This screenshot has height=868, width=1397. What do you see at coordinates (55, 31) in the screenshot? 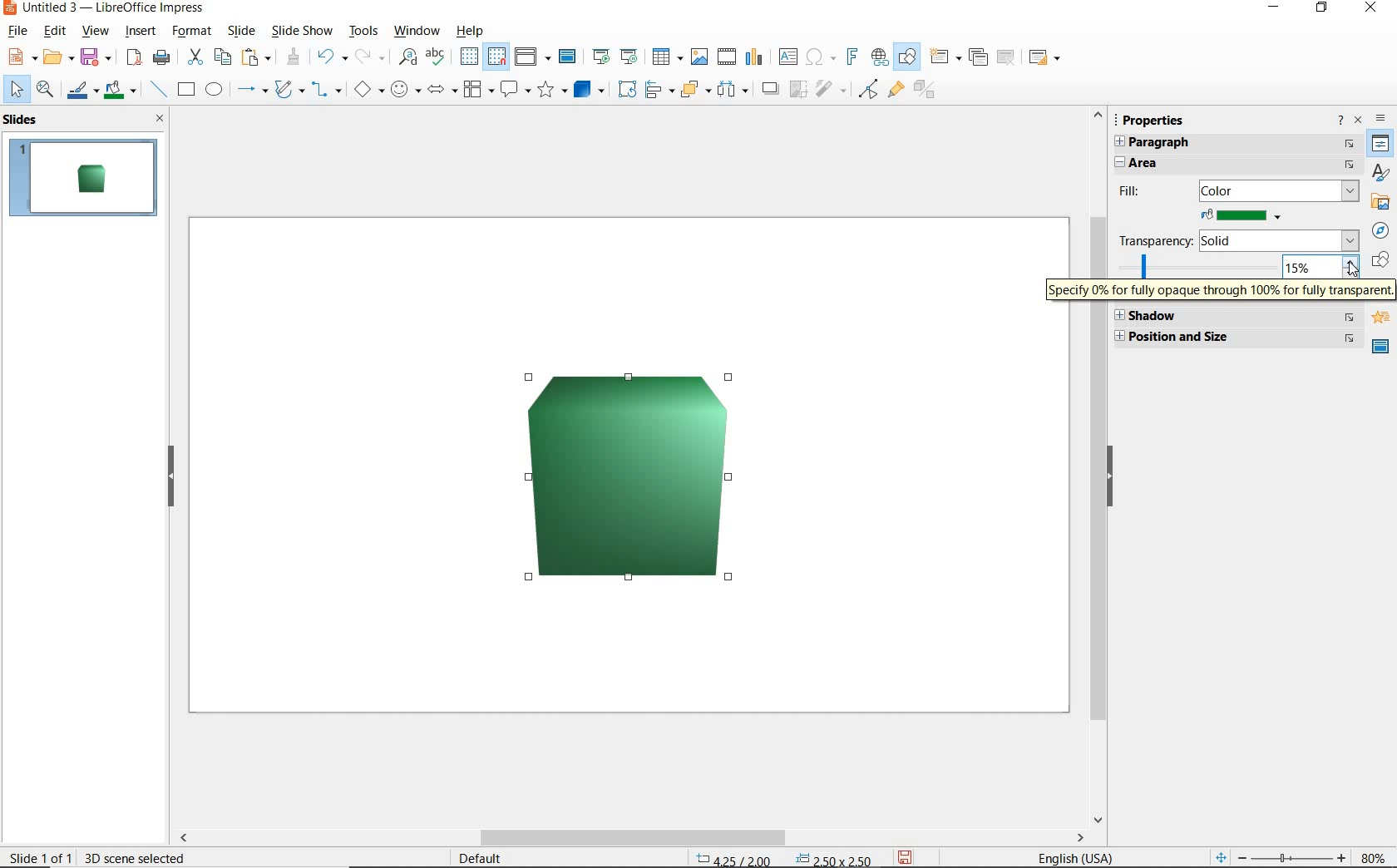
I see `edit` at bounding box center [55, 31].